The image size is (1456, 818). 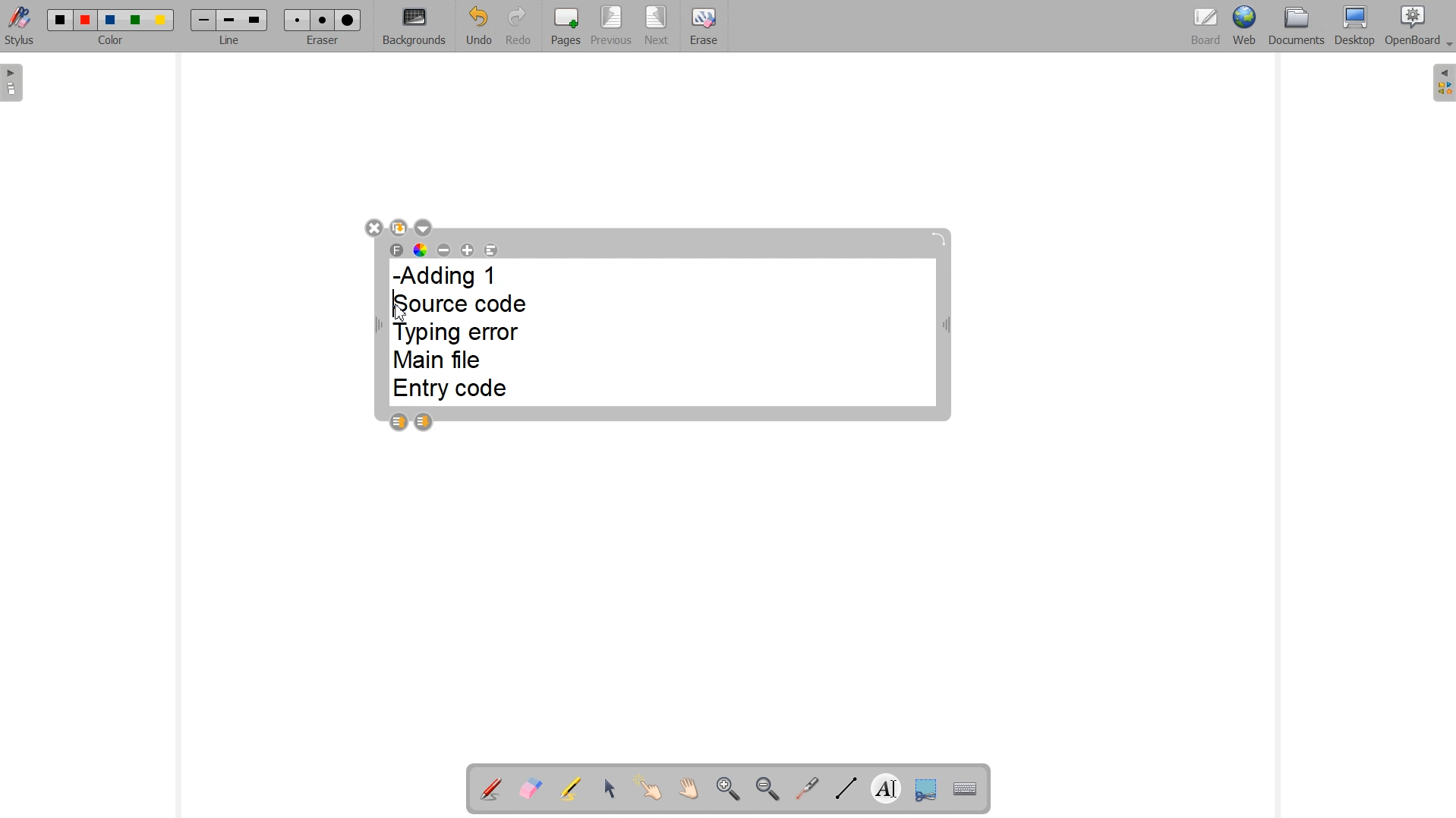 What do you see at coordinates (1206, 27) in the screenshot?
I see `Board` at bounding box center [1206, 27].